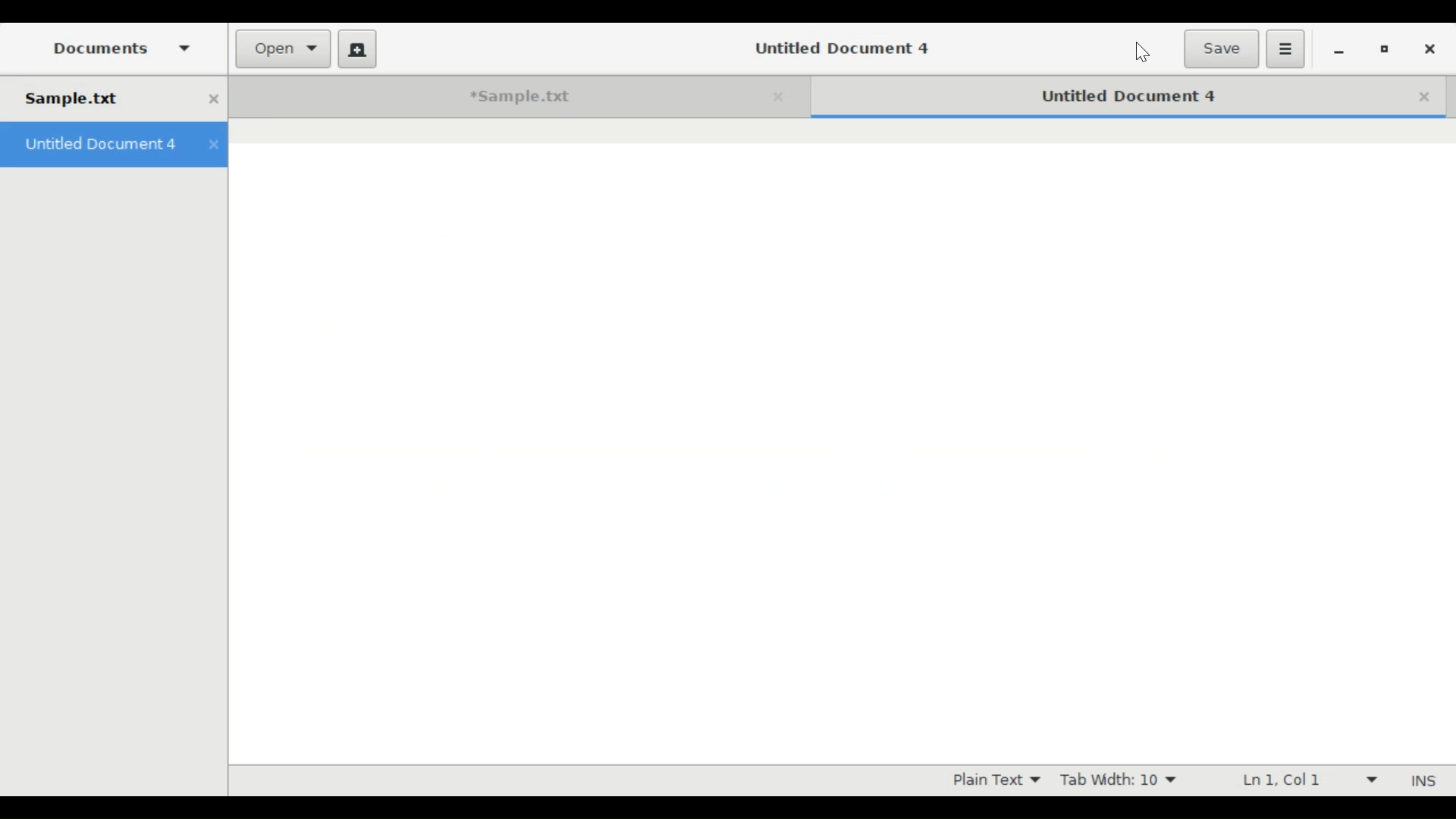 The width and height of the screenshot is (1456, 819). I want to click on Untitled Document 4, so click(841, 49).